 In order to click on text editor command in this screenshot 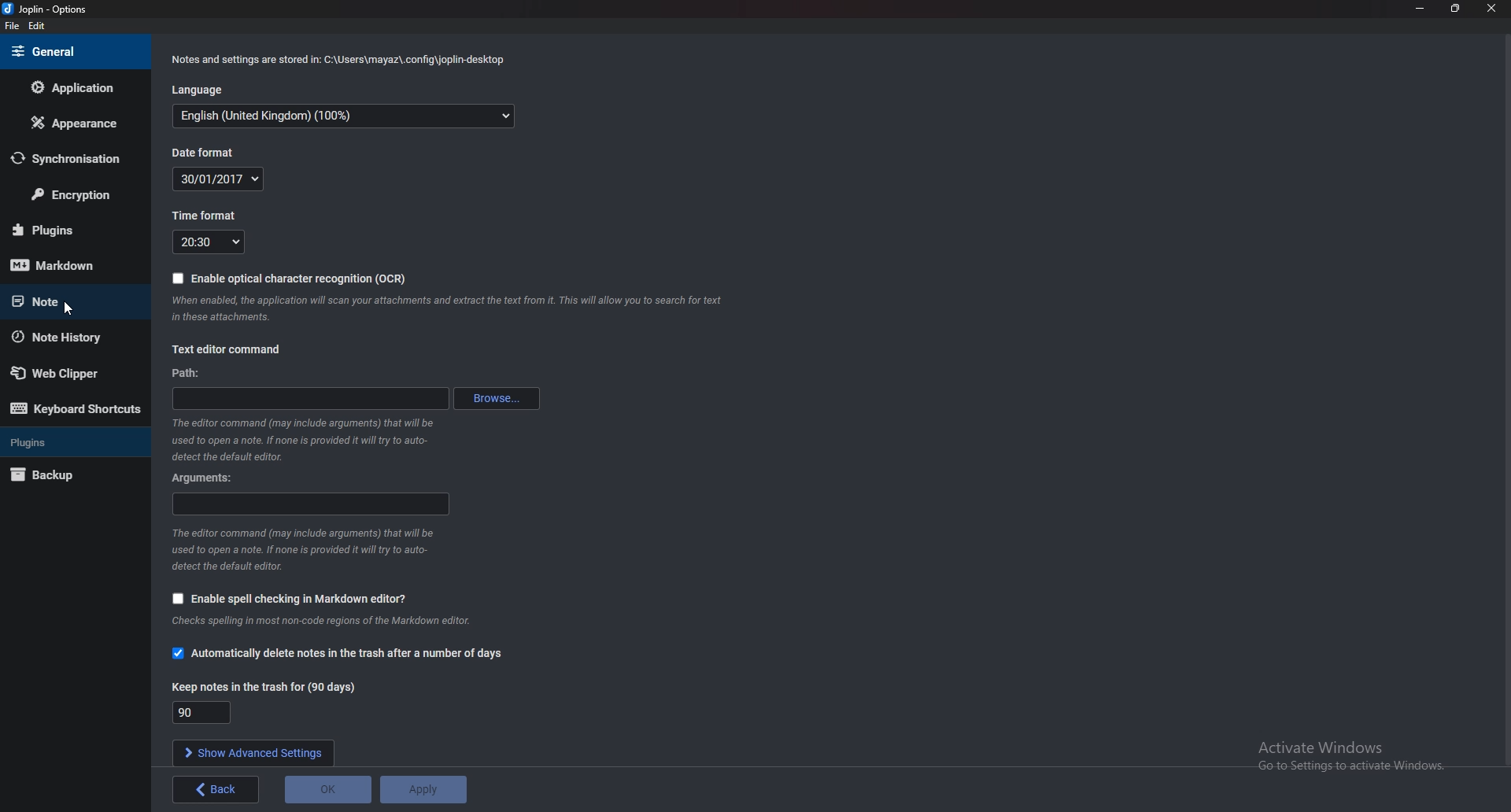, I will do `click(230, 349)`.